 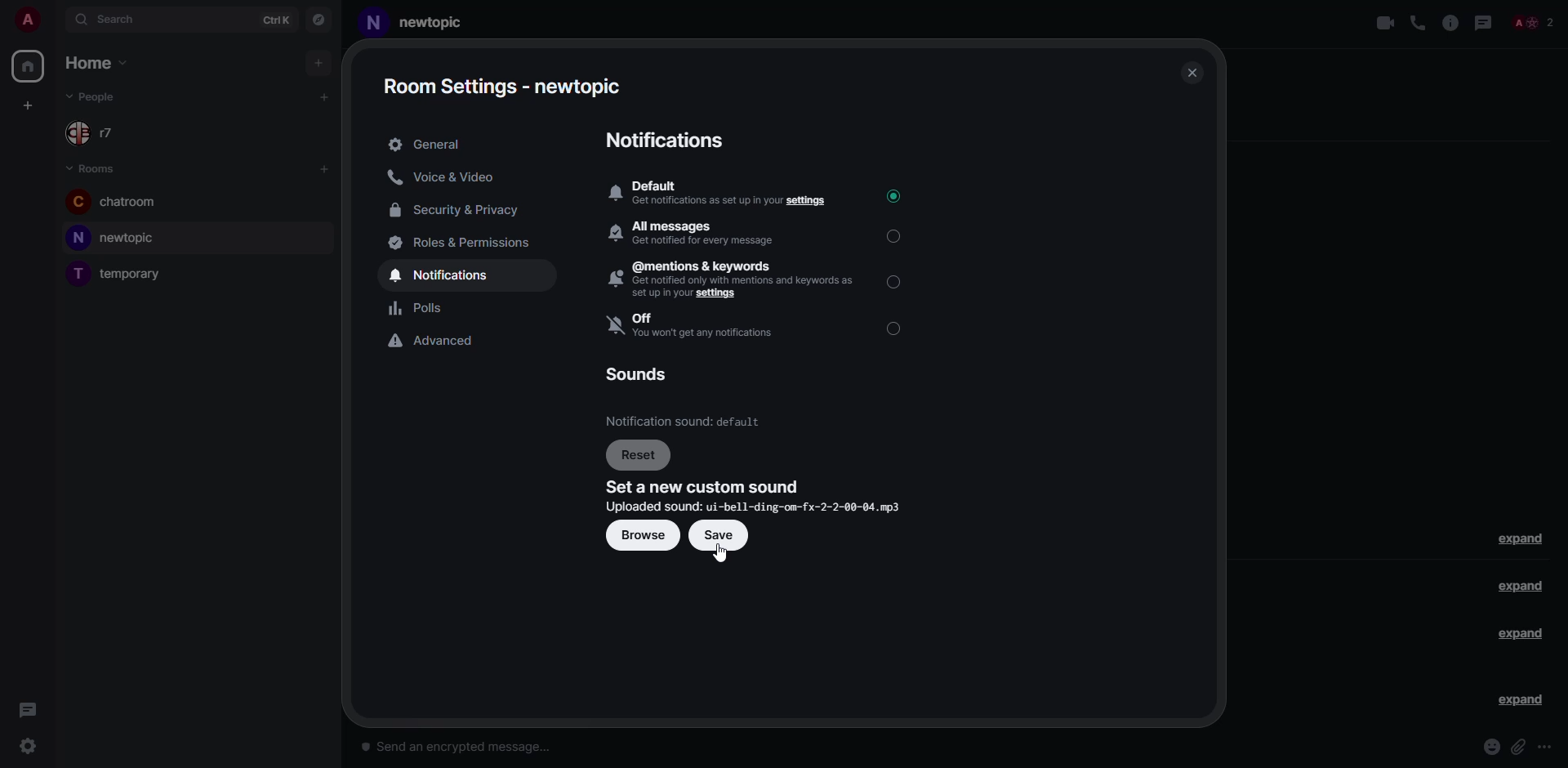 What do you see at coordinates (1189, 73) in the screenshot?
I see `close` at bounding box center [1189, 73].